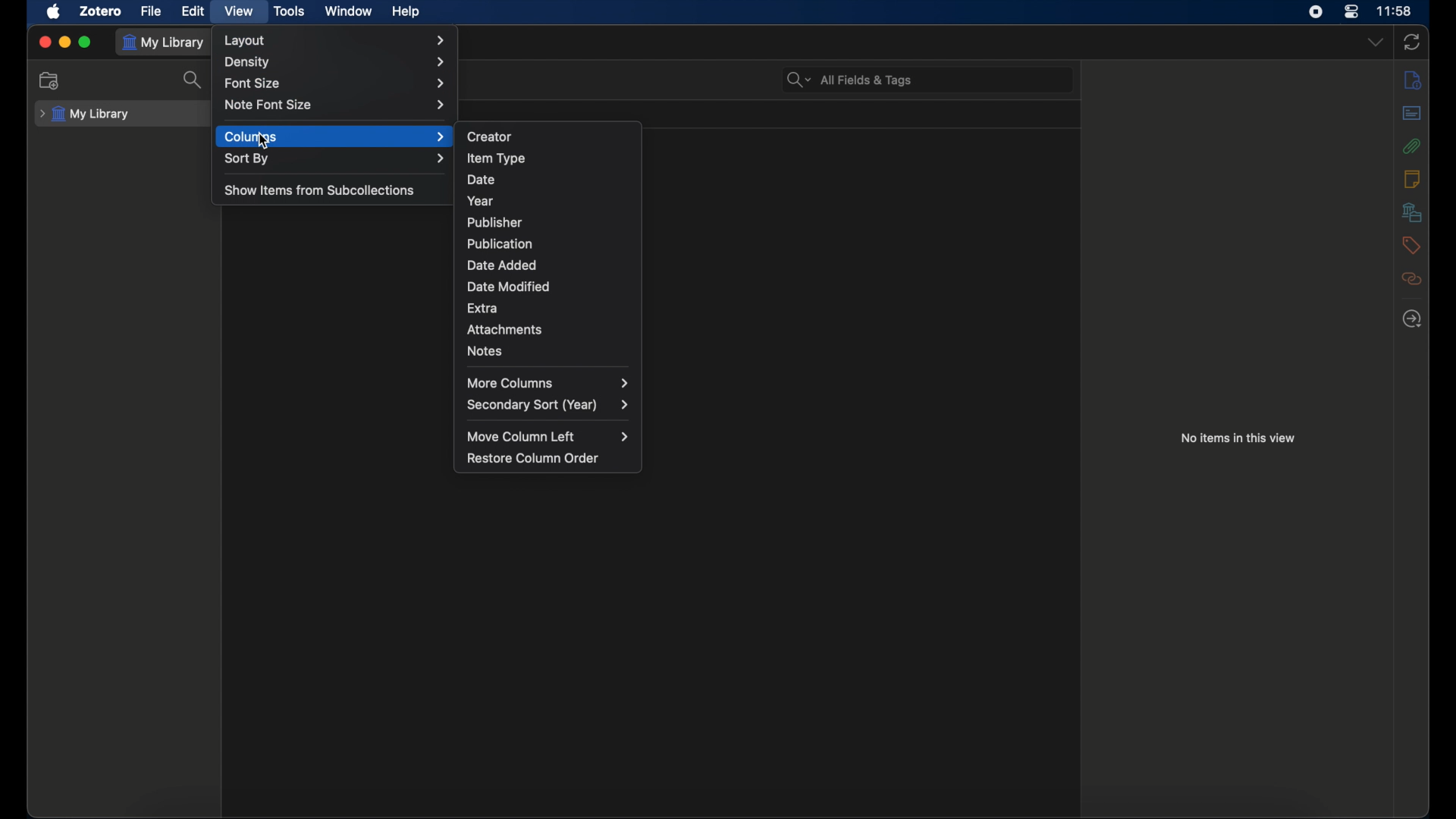  What do you see at coordinates (1241, 438) in the screenshot?
I see `no items in this view` at bounding box center [1241, 438].